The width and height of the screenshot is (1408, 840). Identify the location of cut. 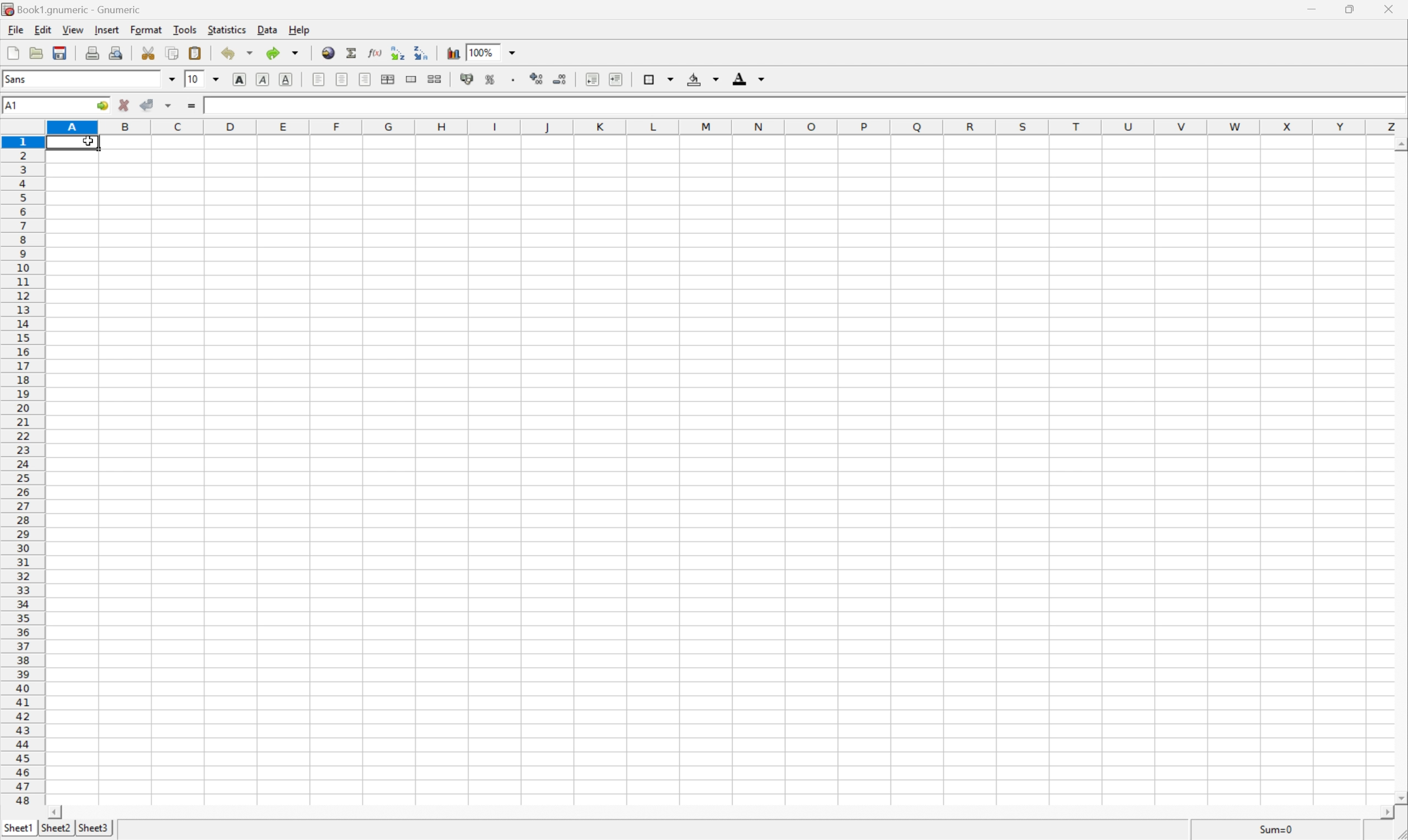
(149, 53).